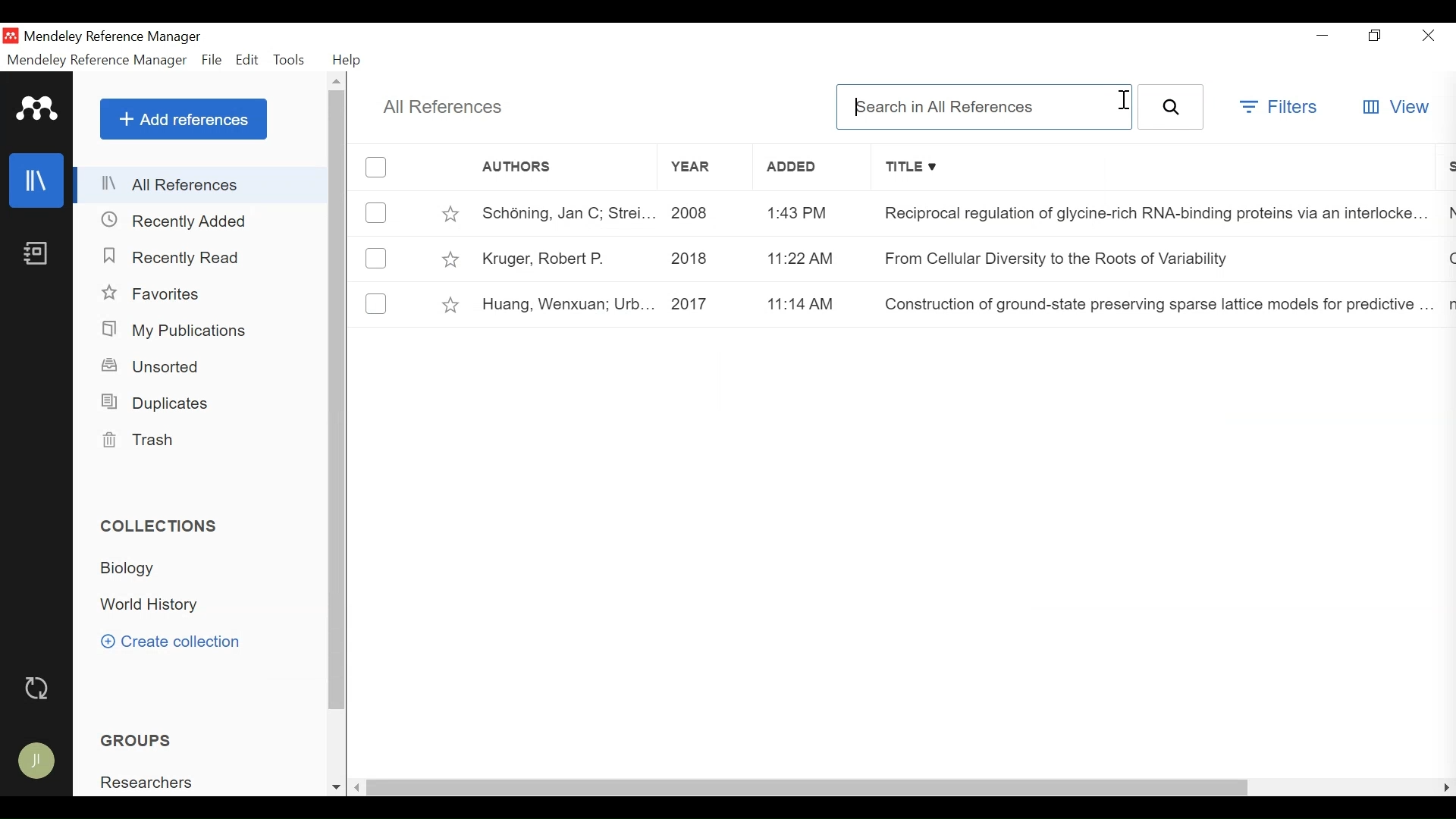 This screenshot has height=819, width=1456. Describe the element at coordinates (178, 220) in the screenshot. I see `Recently Added` at that location.